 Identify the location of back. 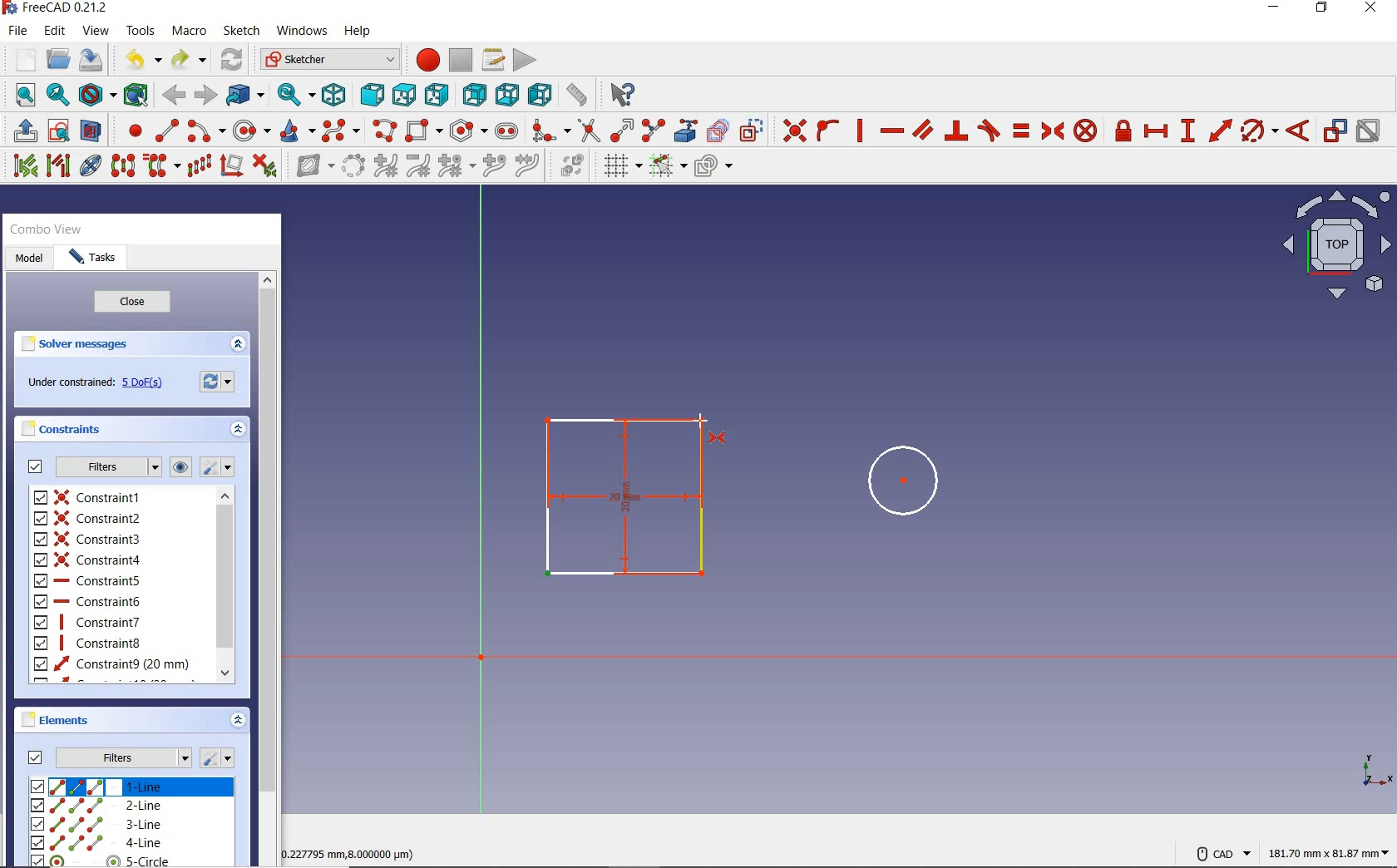
(175, 96).